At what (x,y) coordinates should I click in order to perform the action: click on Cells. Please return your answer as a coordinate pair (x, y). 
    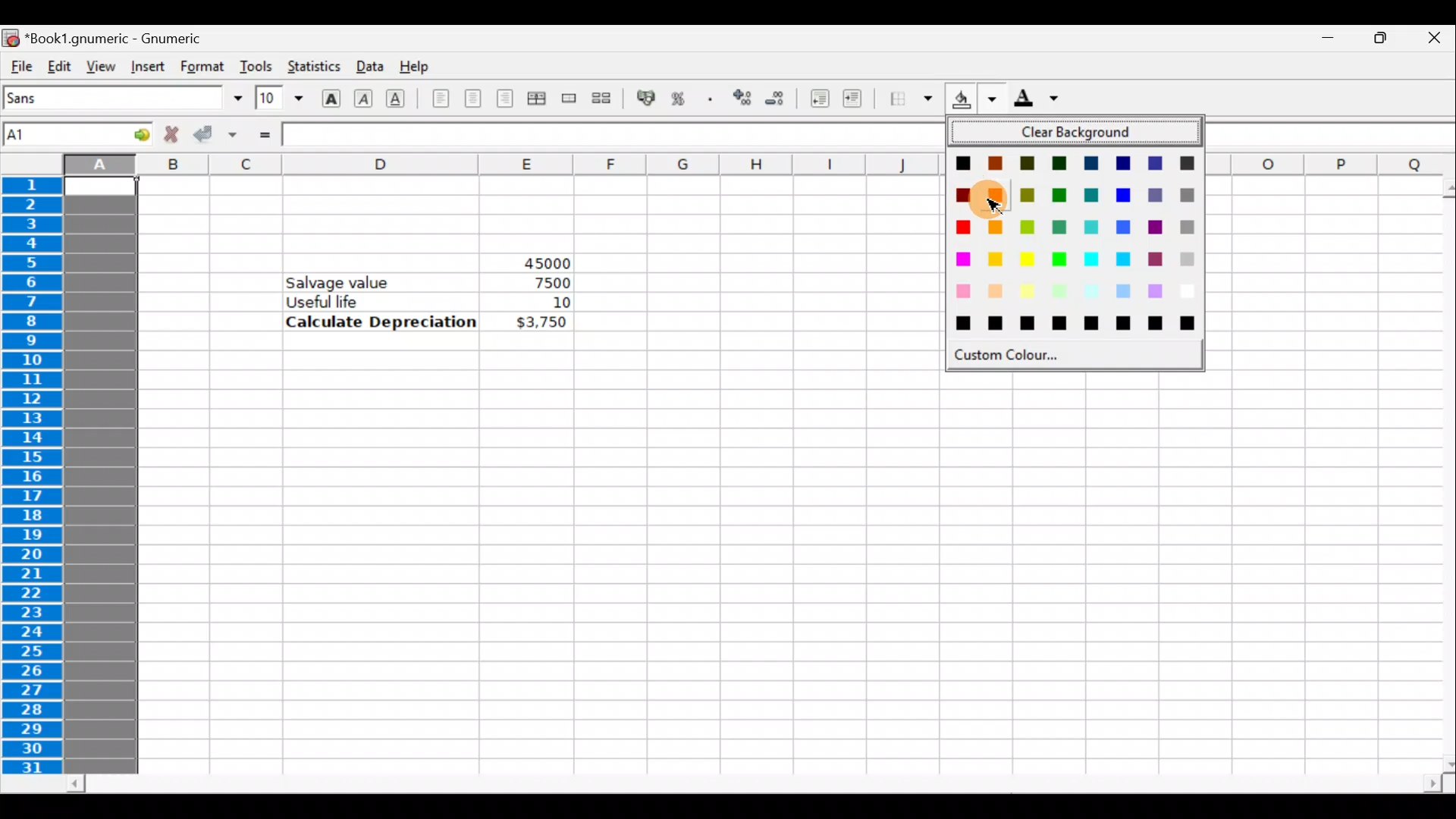
    Looking at the image, I should click on (758, 569).